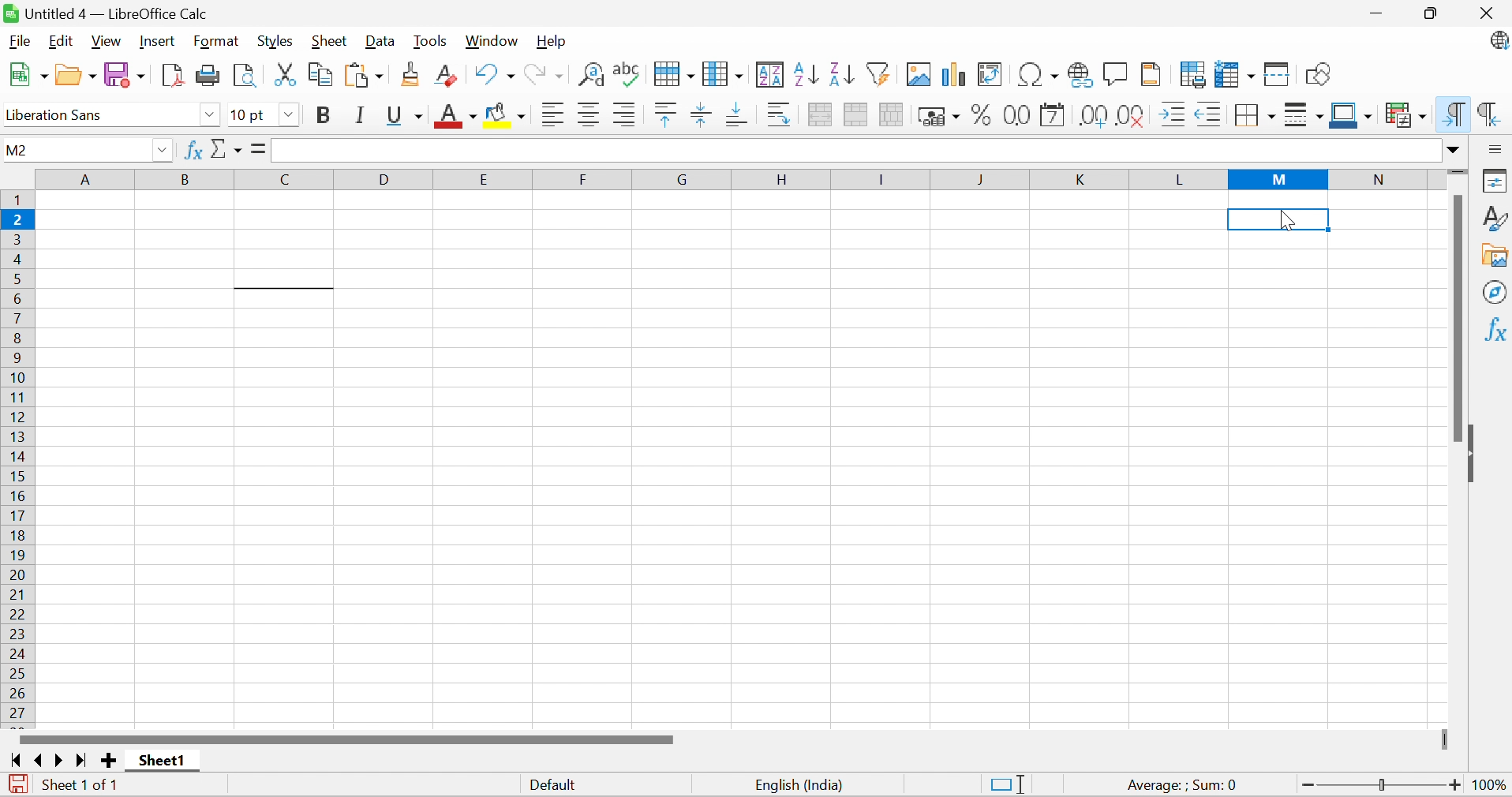 The image size is (1512, 797). Describe the element at coordinates (107, 42) in the screenshot. I see `View` at that location.